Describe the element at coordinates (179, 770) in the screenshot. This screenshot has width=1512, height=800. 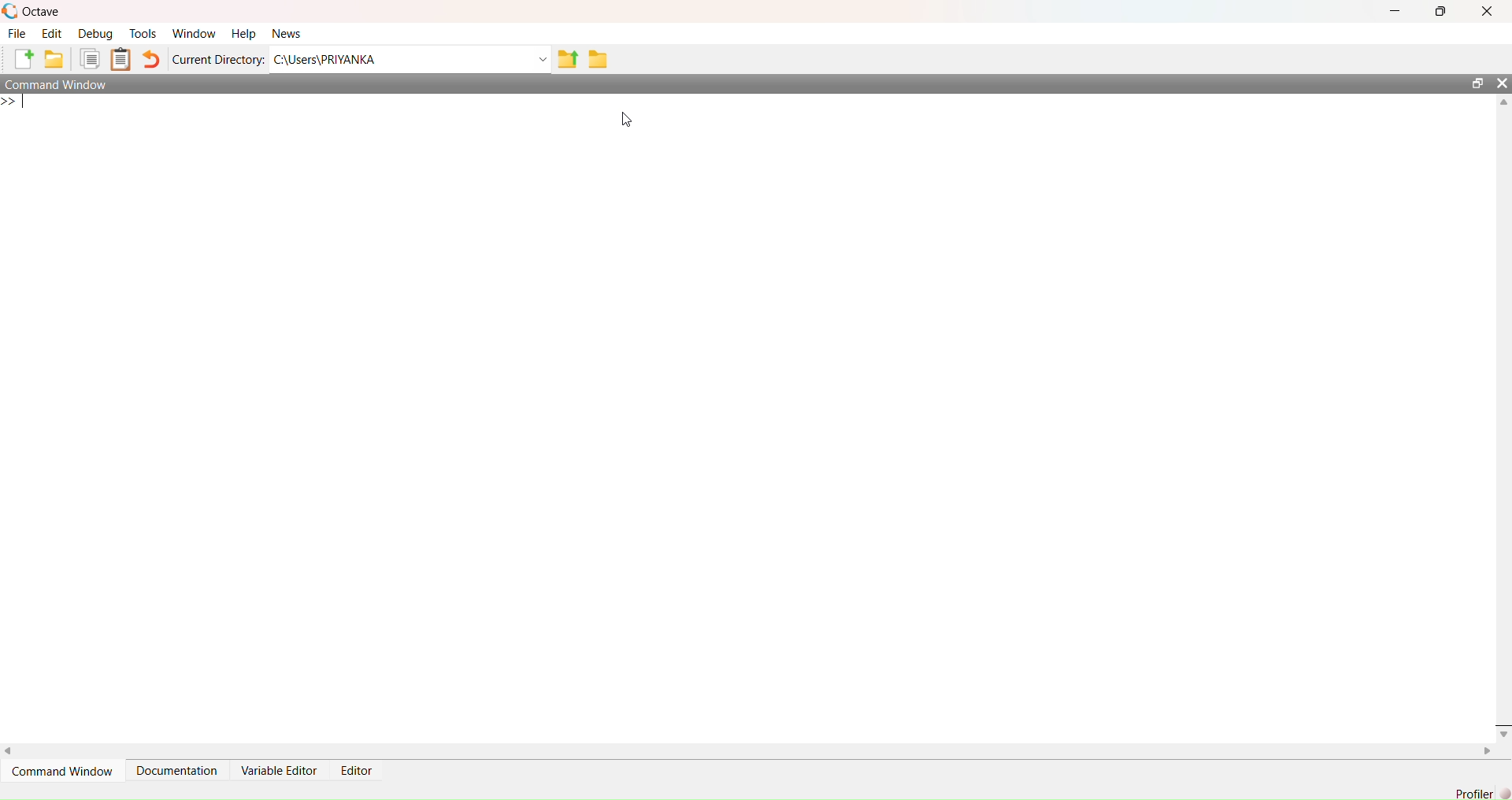
I see `Documentation` at that location.